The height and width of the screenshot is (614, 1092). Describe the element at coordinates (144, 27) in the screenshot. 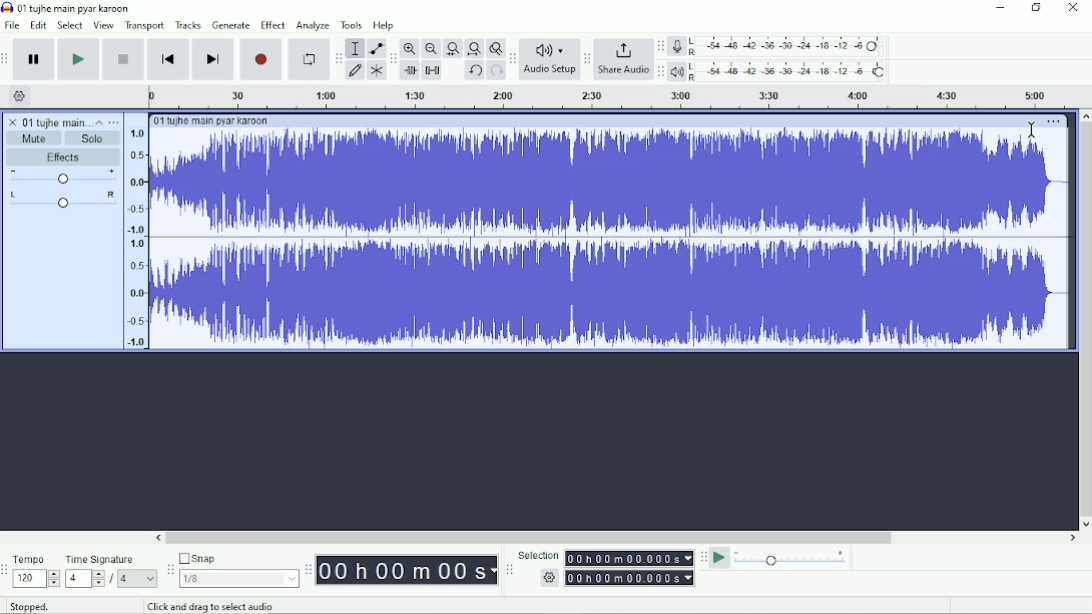

I see `Transport` at that location.